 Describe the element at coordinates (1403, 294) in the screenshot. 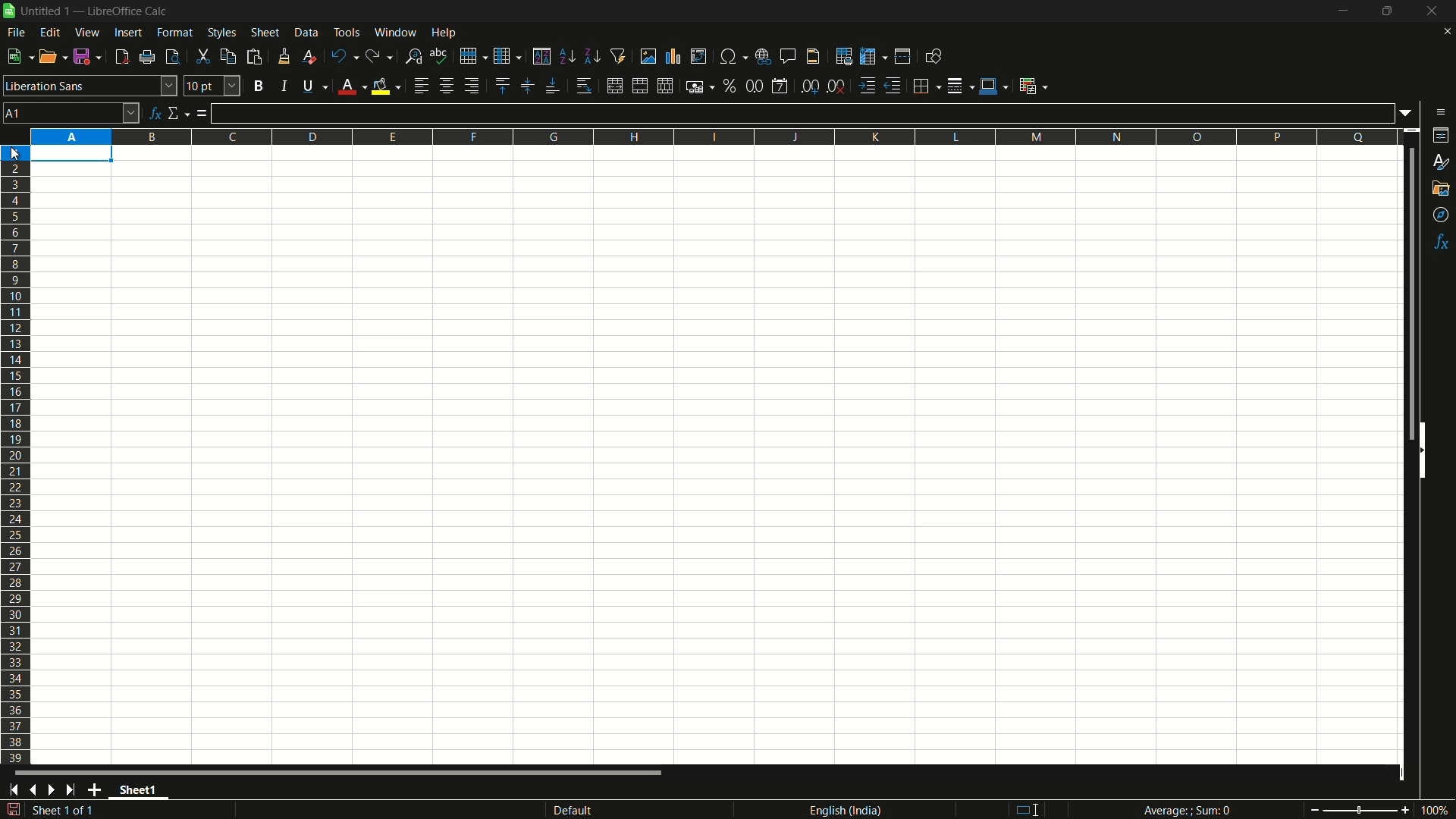

I see `scroll bar` at that location.